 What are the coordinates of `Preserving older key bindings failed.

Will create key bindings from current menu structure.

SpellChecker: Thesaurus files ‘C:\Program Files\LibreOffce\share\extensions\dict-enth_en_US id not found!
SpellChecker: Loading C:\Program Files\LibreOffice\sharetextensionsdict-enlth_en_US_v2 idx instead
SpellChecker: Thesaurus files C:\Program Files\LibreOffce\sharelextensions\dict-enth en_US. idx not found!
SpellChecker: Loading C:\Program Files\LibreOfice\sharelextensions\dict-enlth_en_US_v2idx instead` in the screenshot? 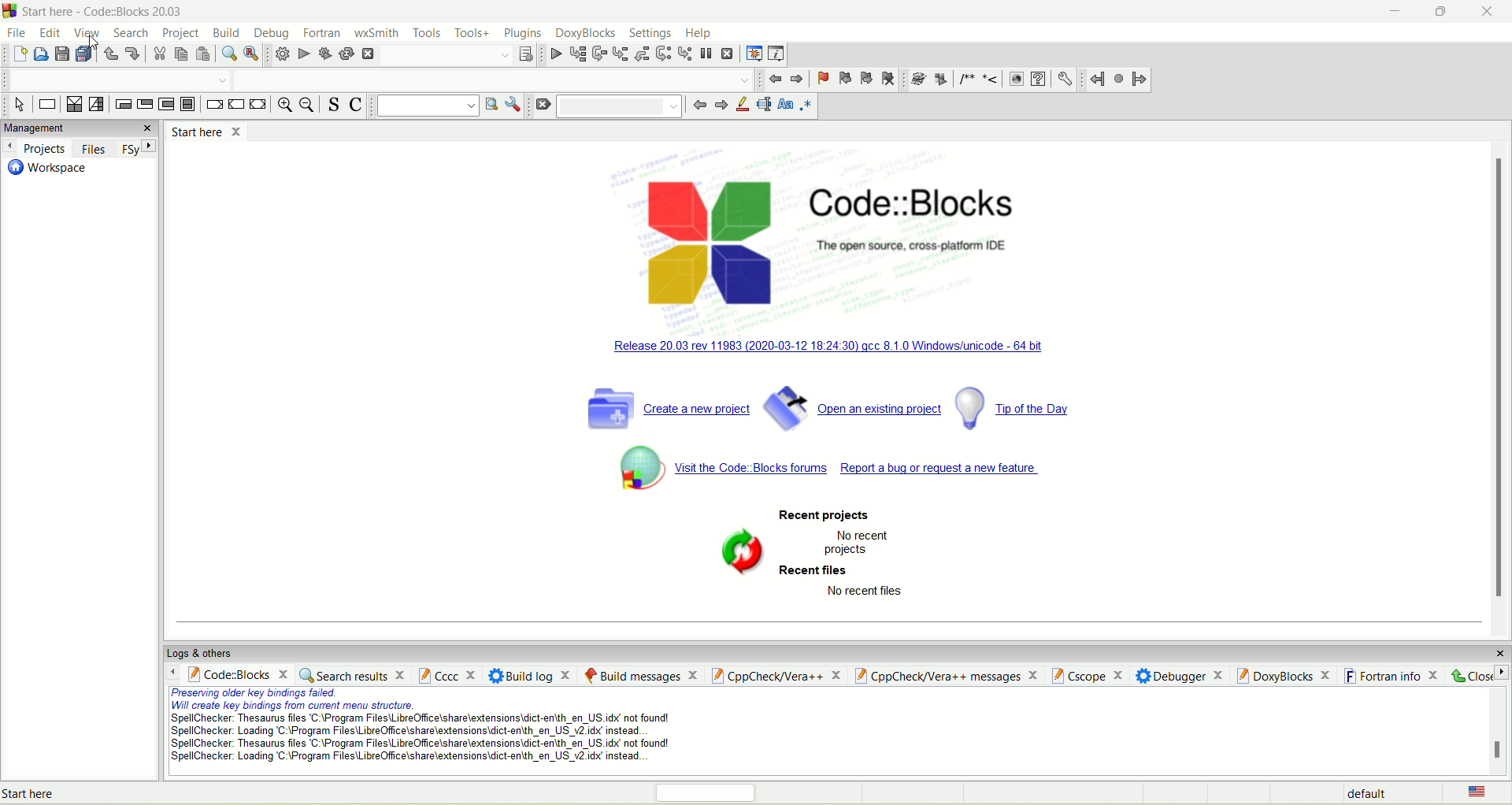 It's located at (413, 729).